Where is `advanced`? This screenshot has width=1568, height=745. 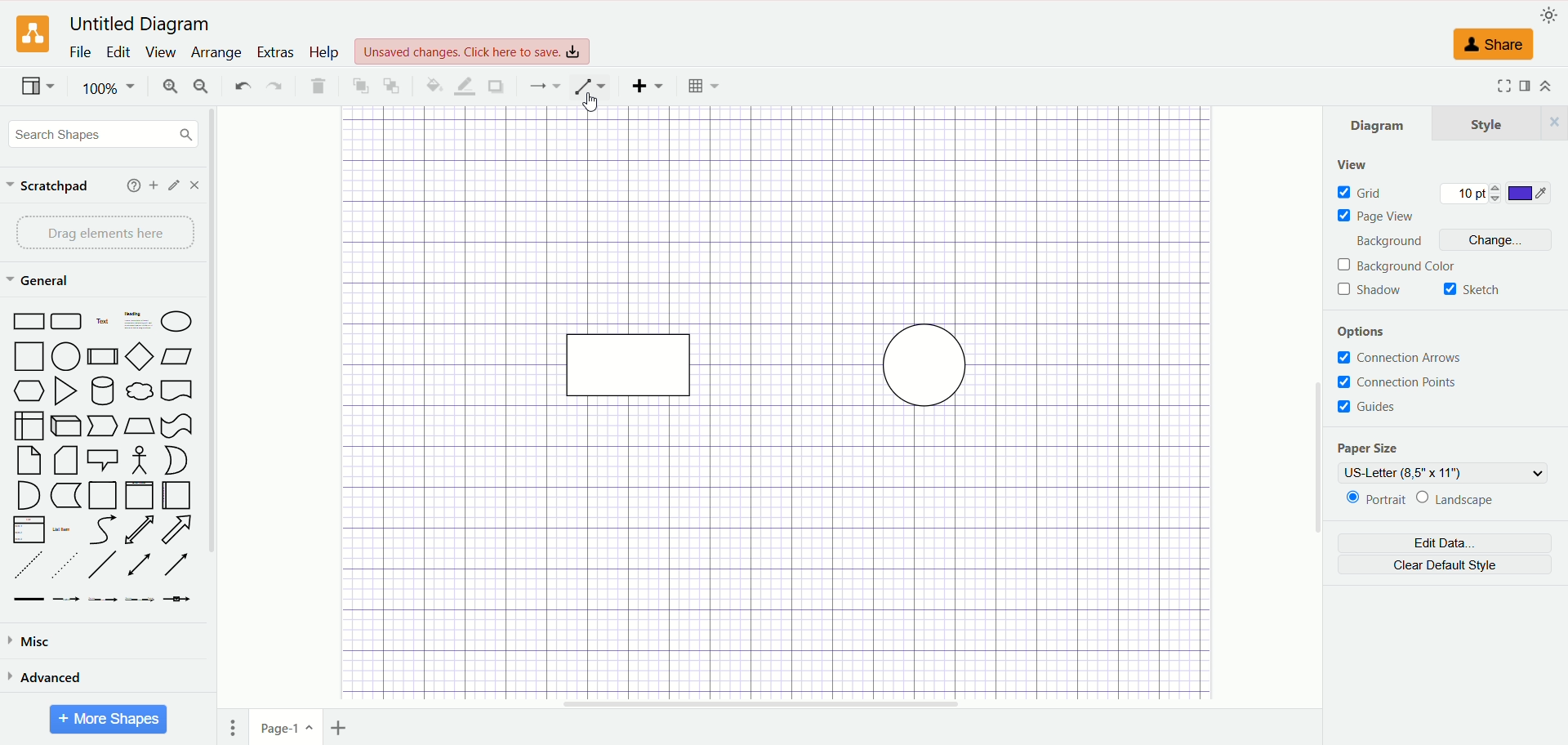 advanced is located at coordinates (47, 677).